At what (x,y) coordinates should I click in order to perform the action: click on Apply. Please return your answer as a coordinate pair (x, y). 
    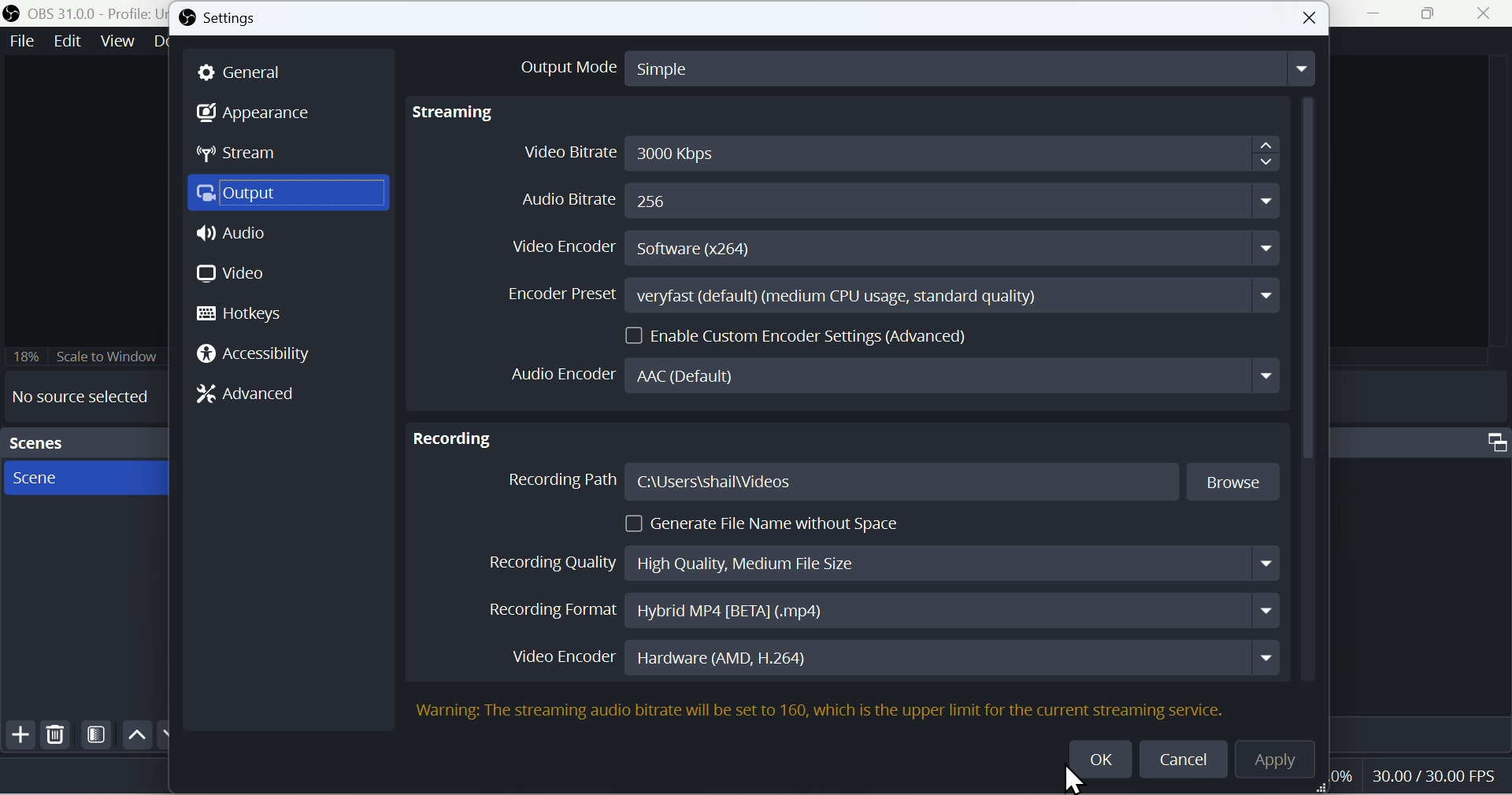
    Looking at the image, I should click on (1284, 763).